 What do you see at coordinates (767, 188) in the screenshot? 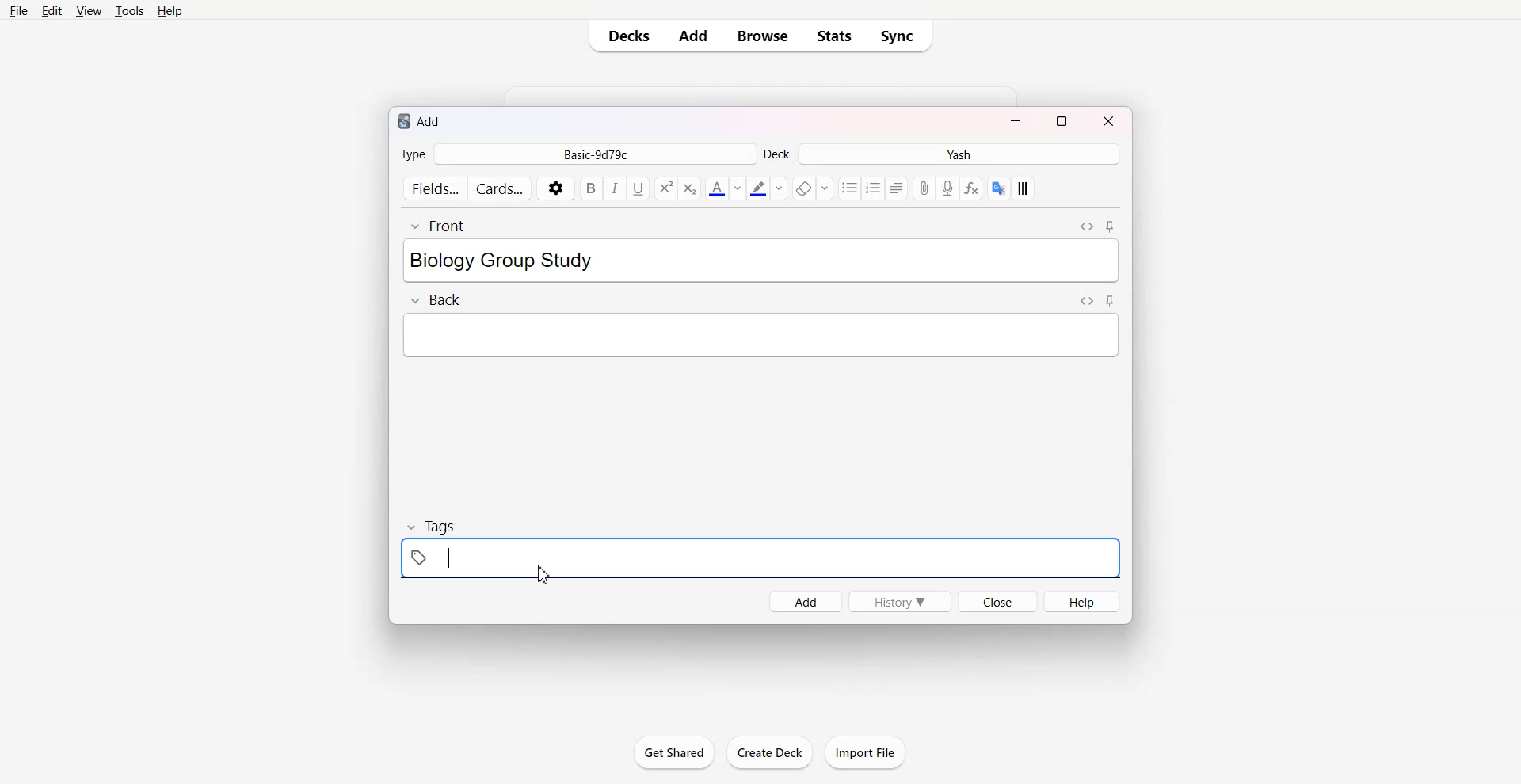
I see `Highlight Text Color` at bounding box center [767, 188].